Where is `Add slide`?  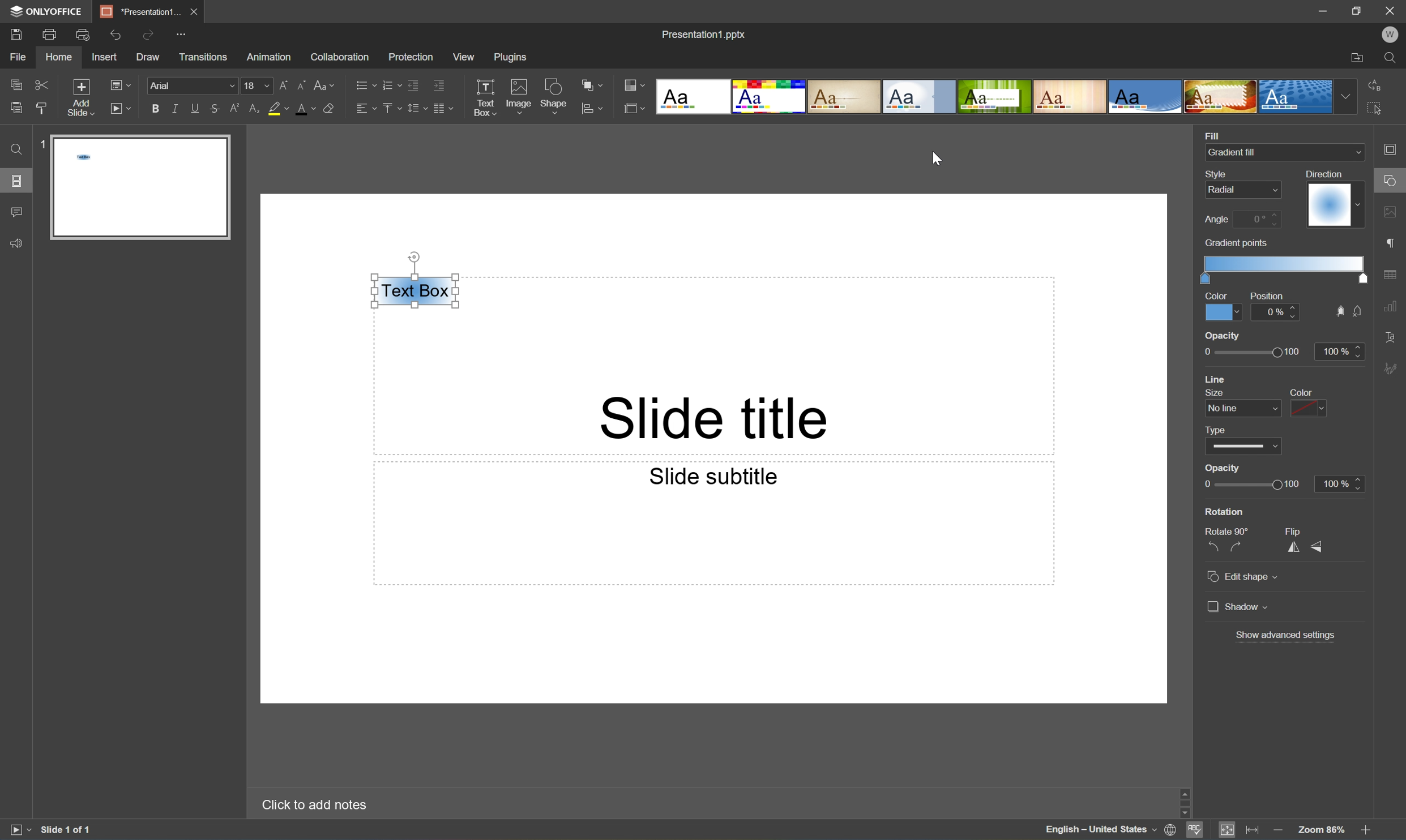 Add slide is located at coordinates (81, 97).